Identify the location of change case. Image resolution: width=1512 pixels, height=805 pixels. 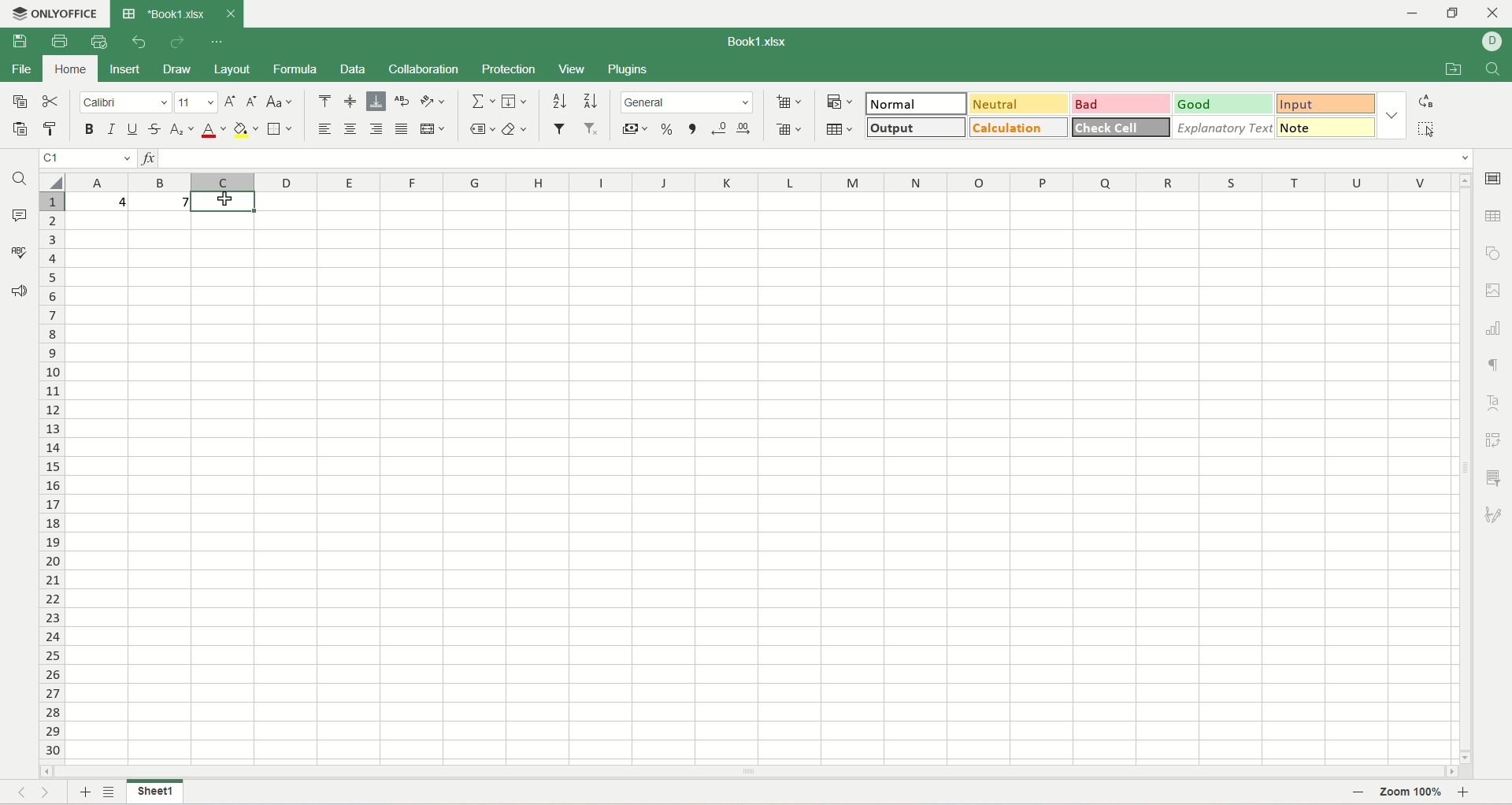
(278, 102).